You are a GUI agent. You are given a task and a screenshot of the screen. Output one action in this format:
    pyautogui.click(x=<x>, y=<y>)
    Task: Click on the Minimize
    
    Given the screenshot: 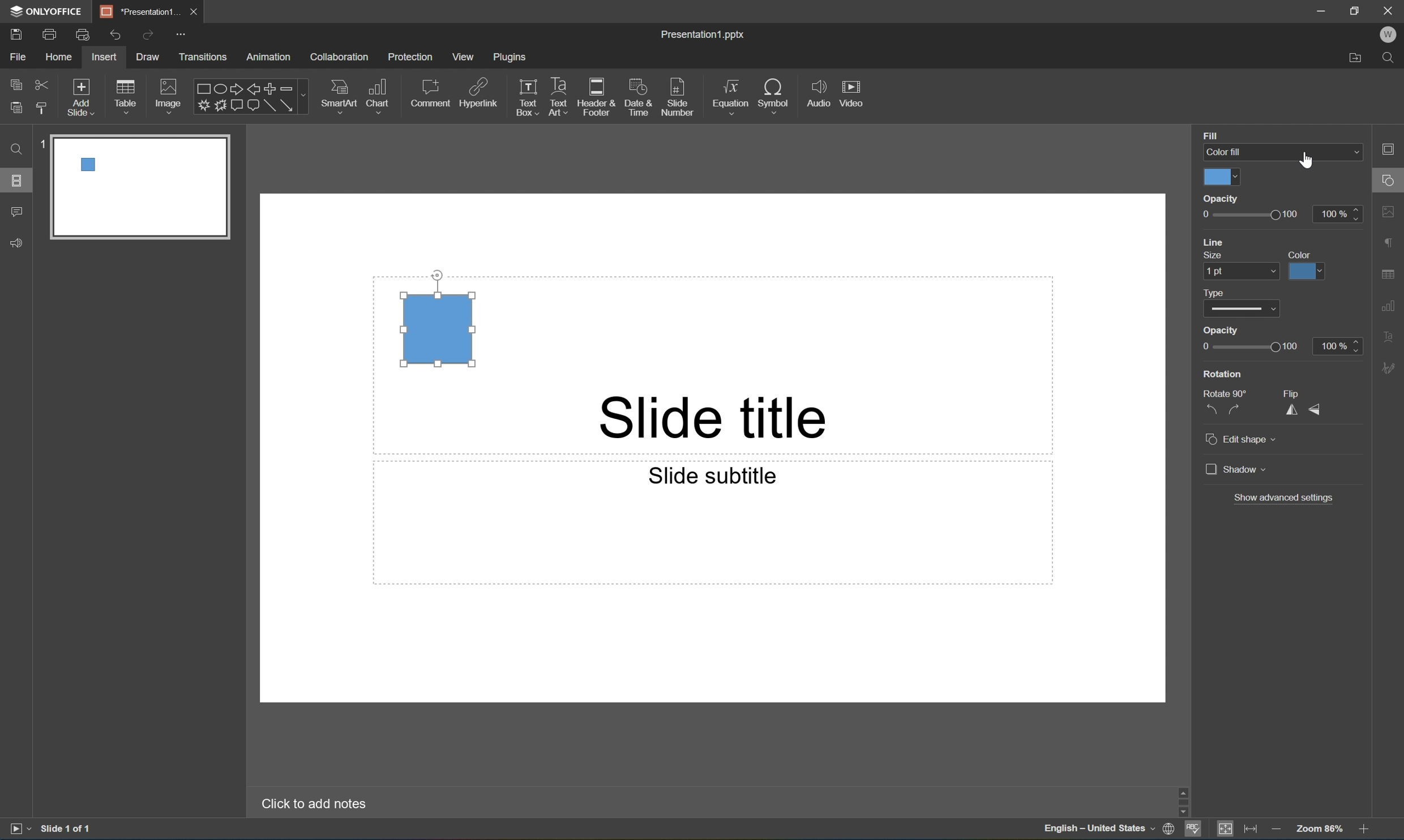 What is the action you would take?
    pyautogui.click(x=1321, y=9)
    